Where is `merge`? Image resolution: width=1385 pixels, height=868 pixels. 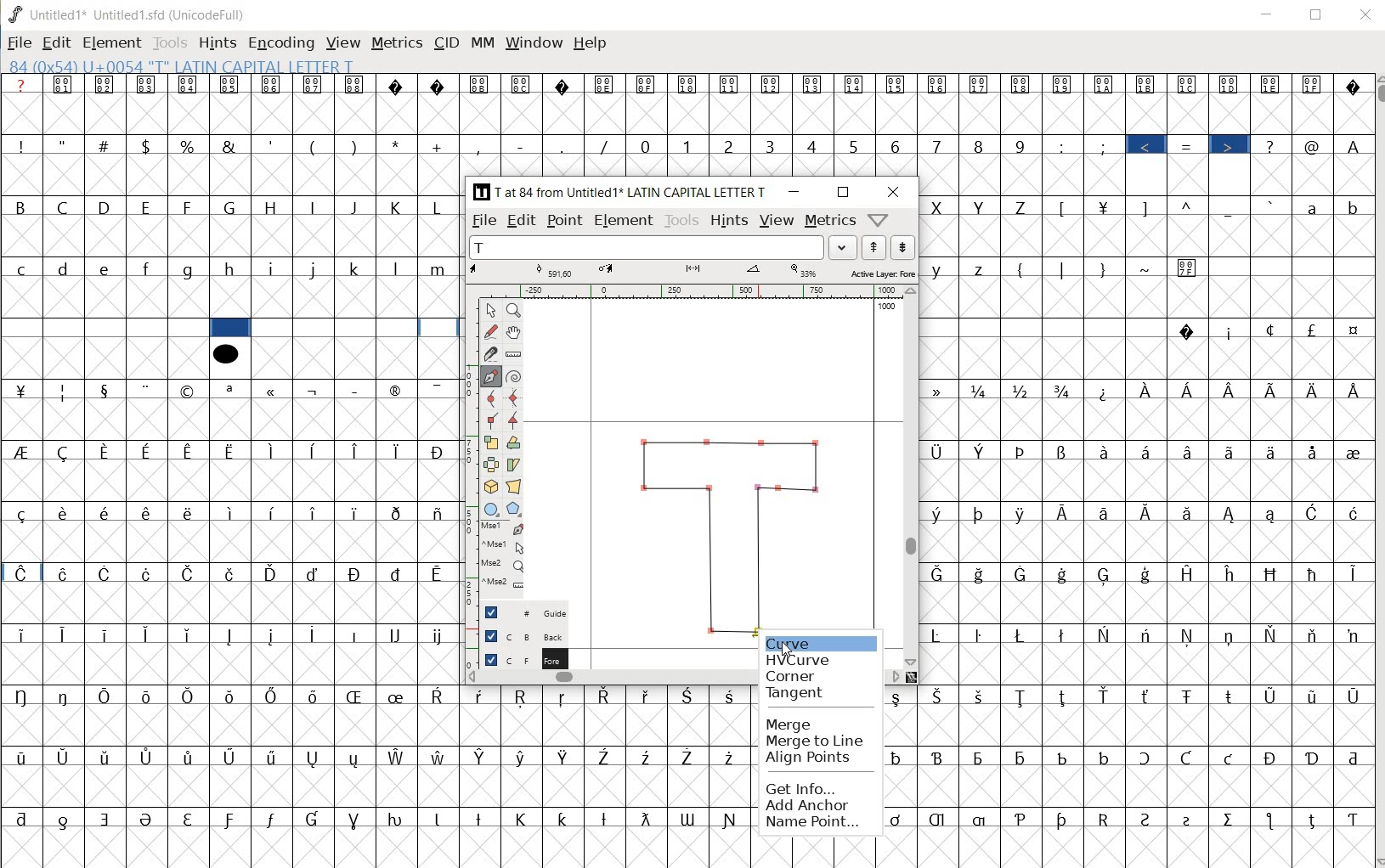 merge is located at coordinates (791, 725).